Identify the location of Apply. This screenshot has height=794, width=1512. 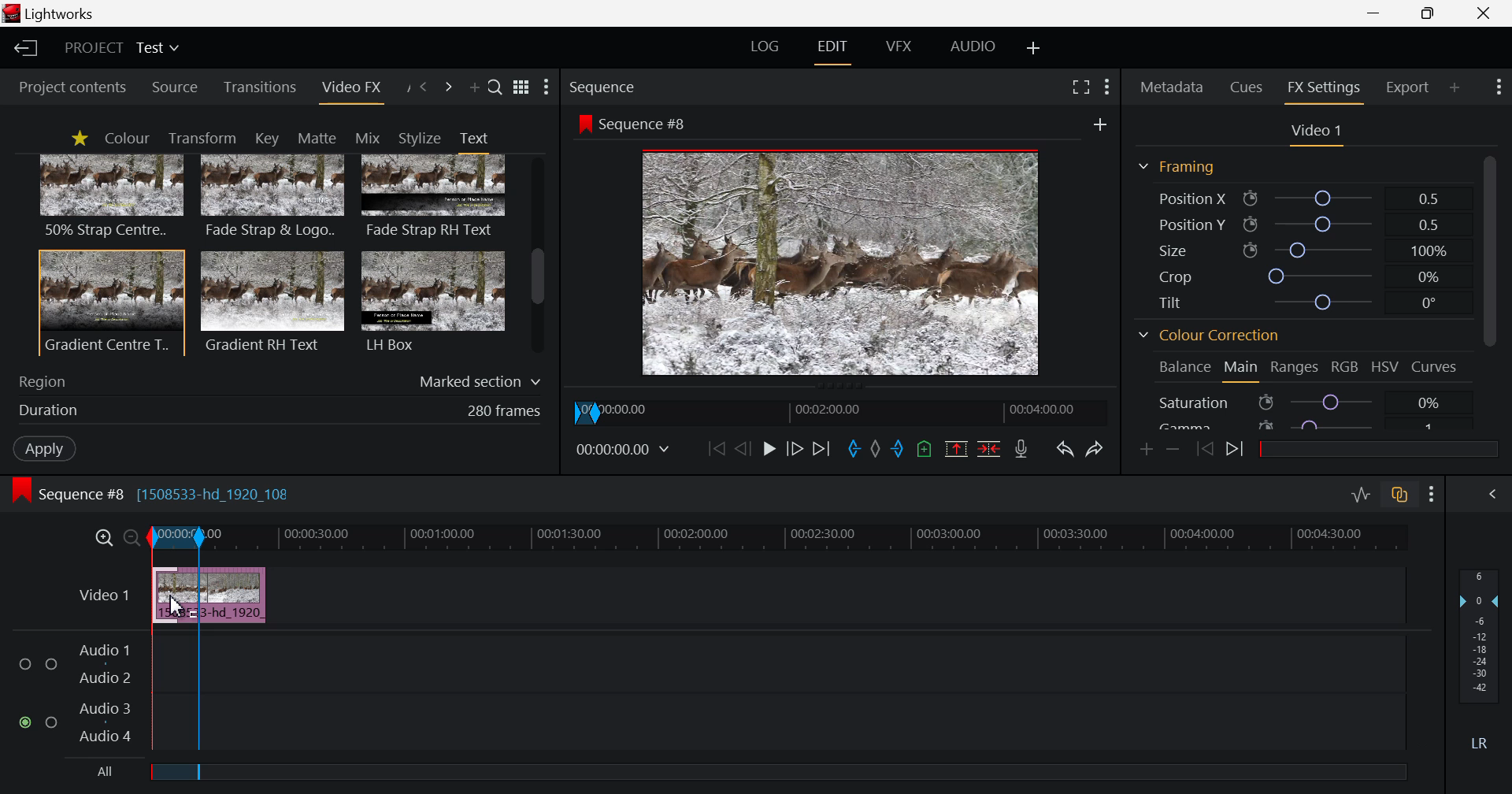
(41, 447).